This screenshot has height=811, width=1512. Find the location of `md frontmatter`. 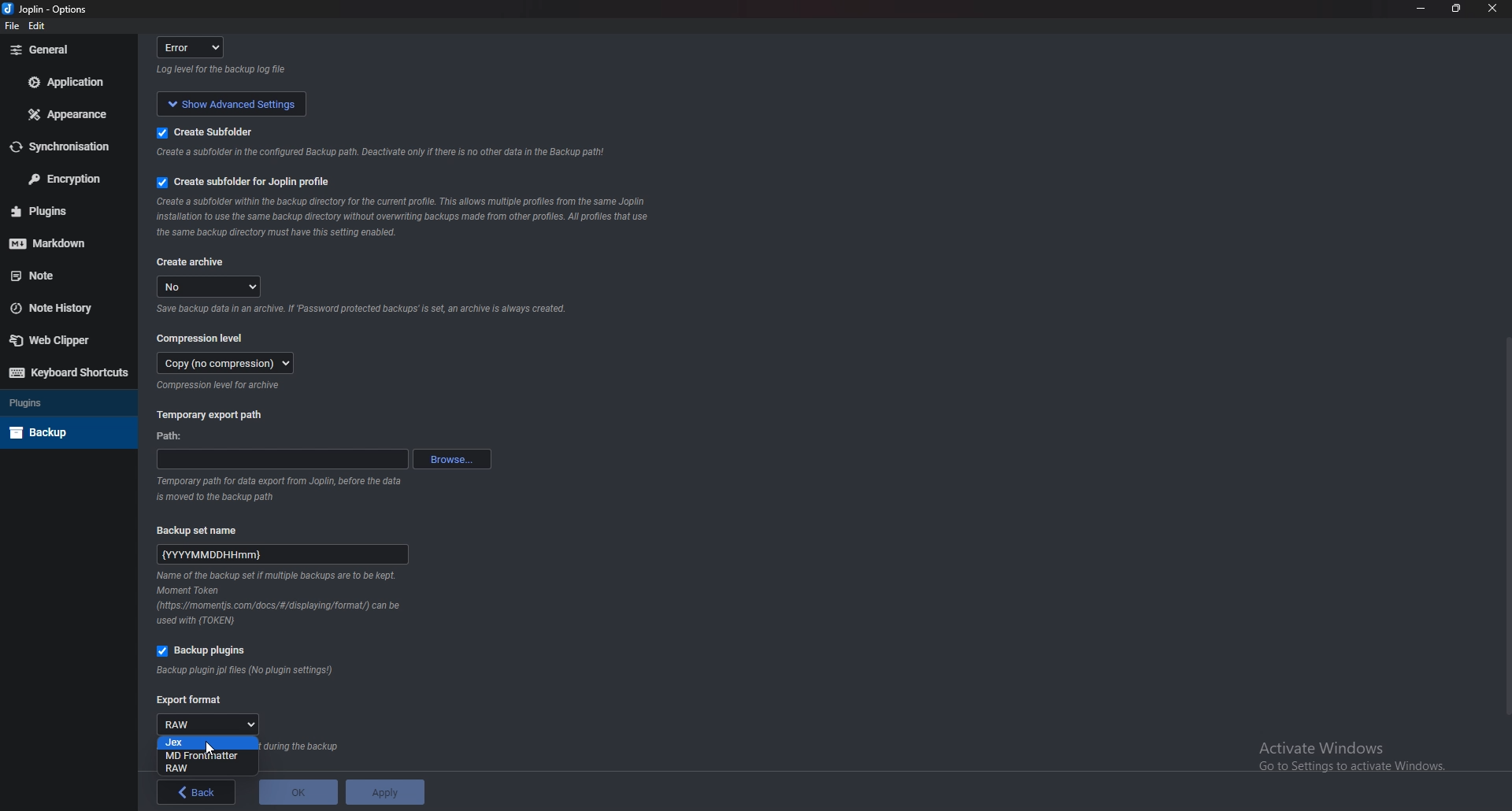

md frontmatter is located at coordinates (202, 755).